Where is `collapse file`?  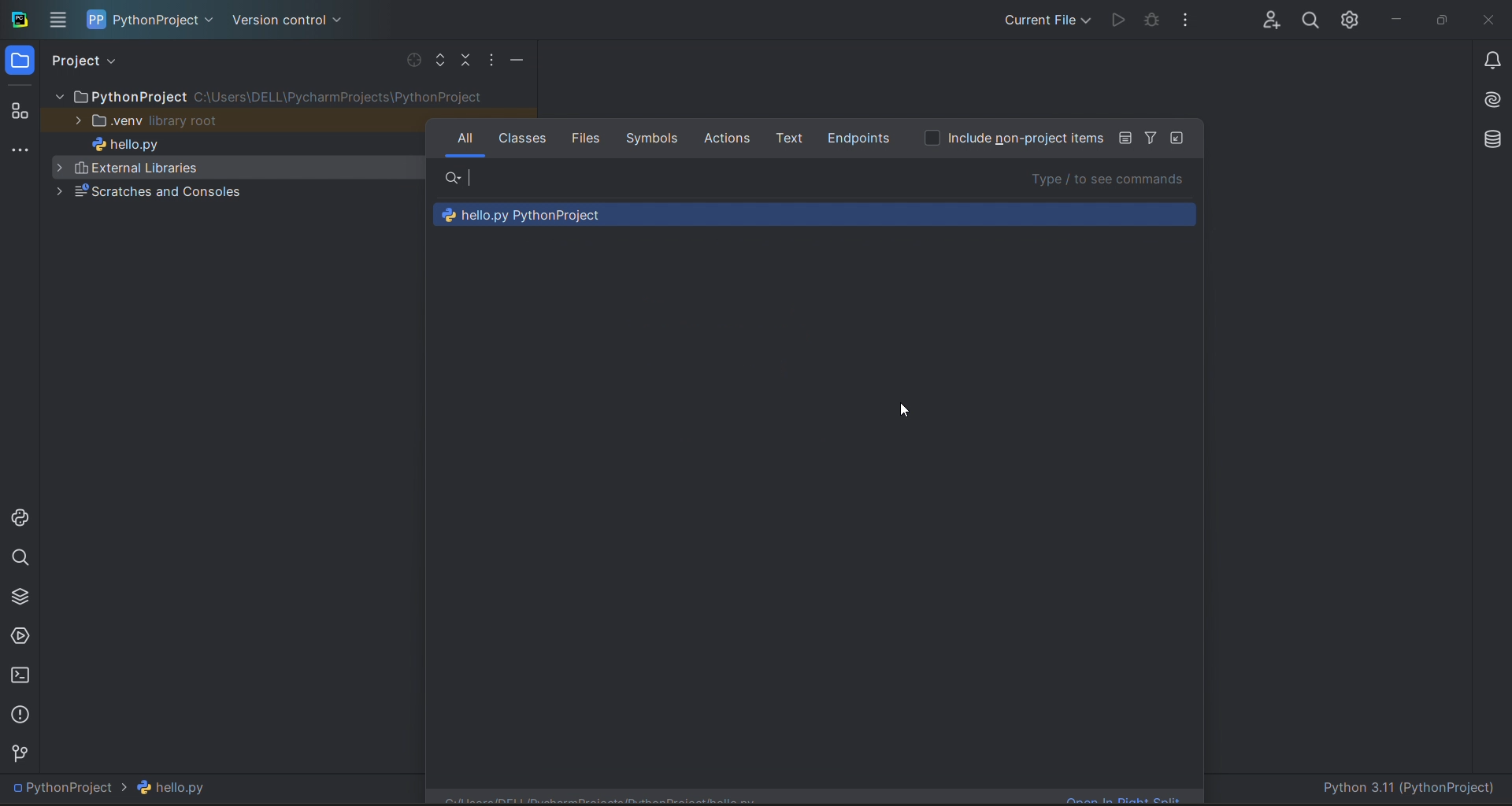 collapse file is located at coordinates (465, 60).